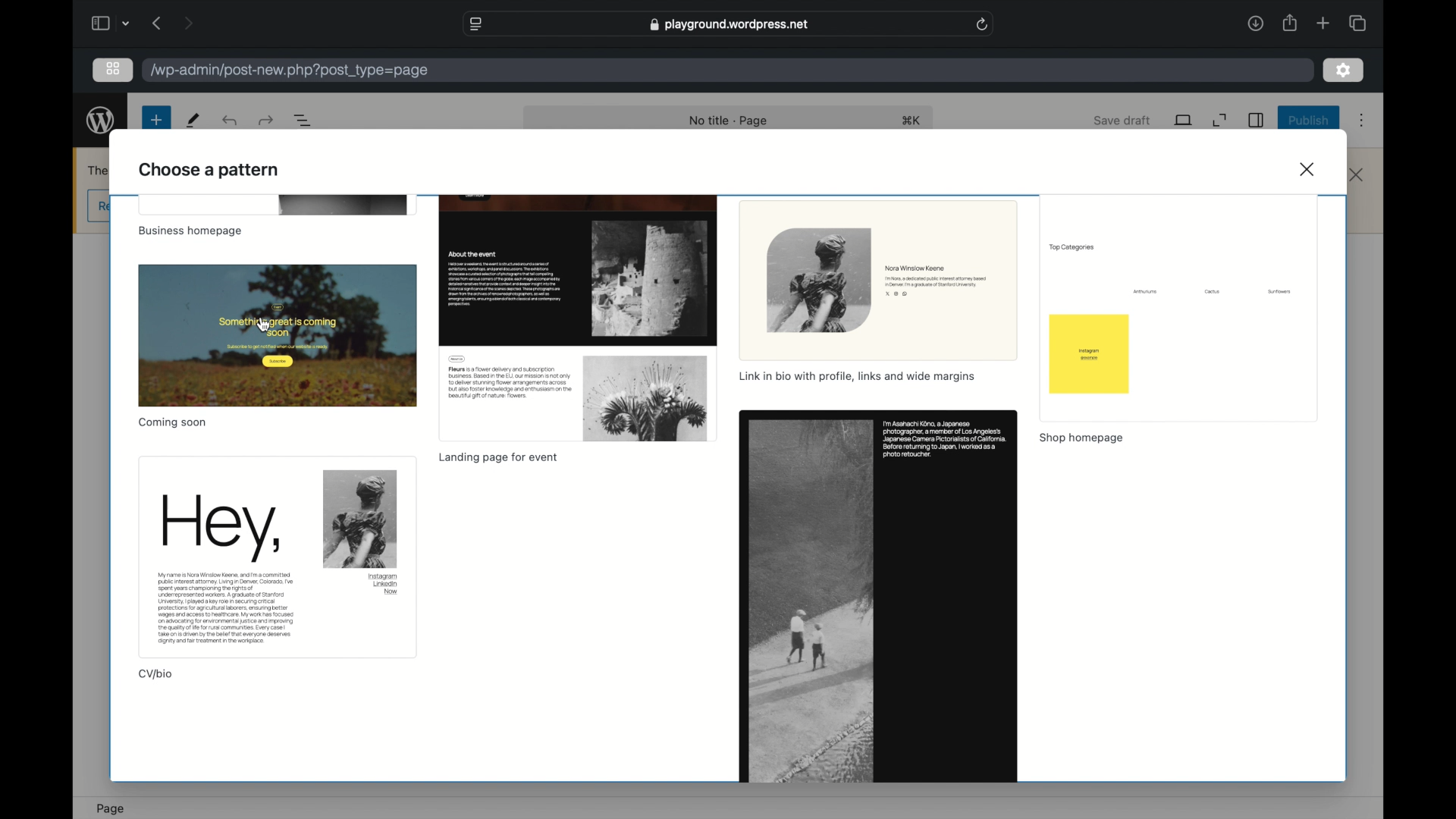 The image size is (1456, 819). What do you see at coordinates (1361, 120) in the screenshot?
I see `more options` at bounding box center [1361, 120].